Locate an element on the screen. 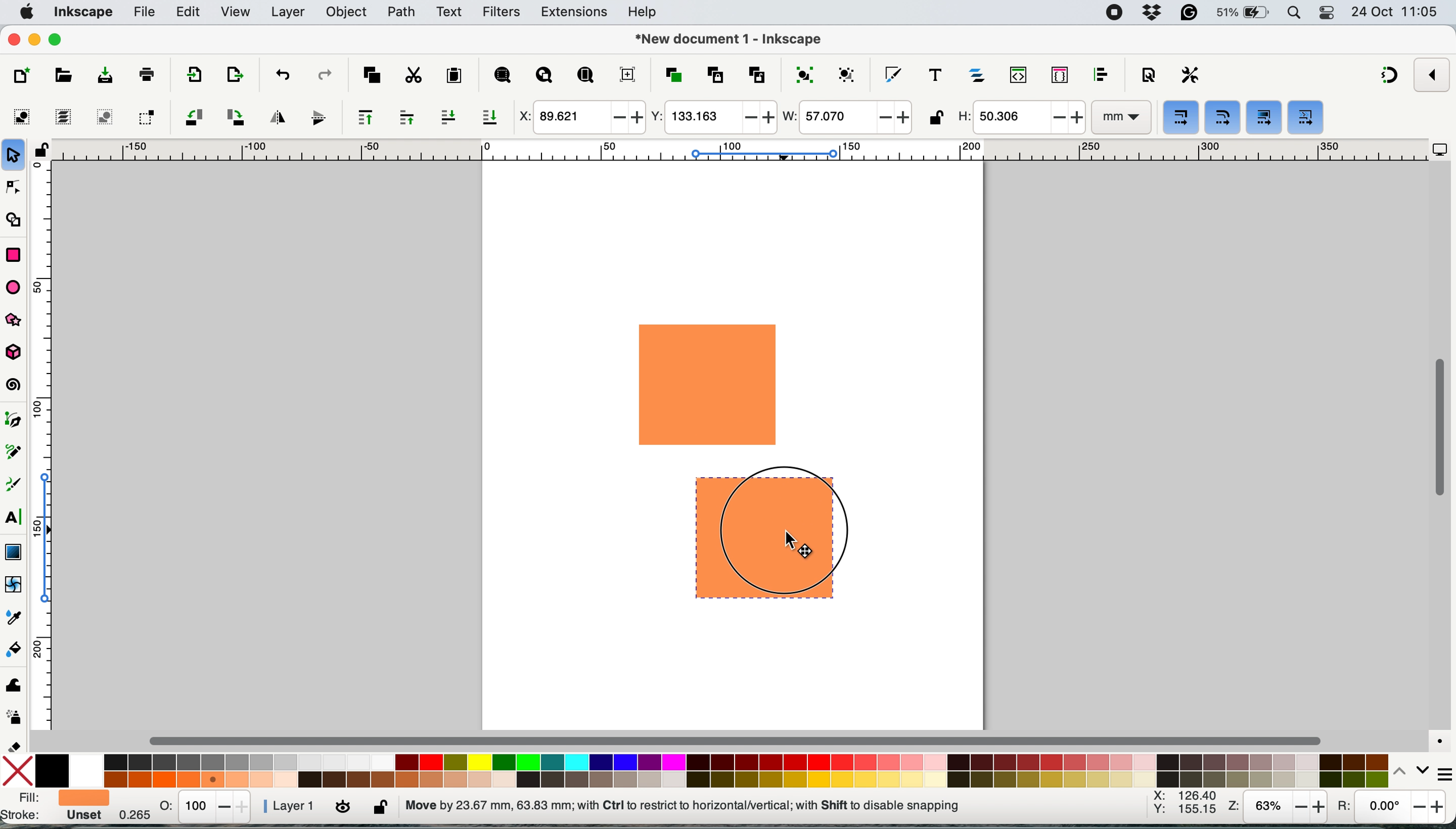 The height and width of the screenshot is (829, 1456). paste is located at coordinates (453, 76).